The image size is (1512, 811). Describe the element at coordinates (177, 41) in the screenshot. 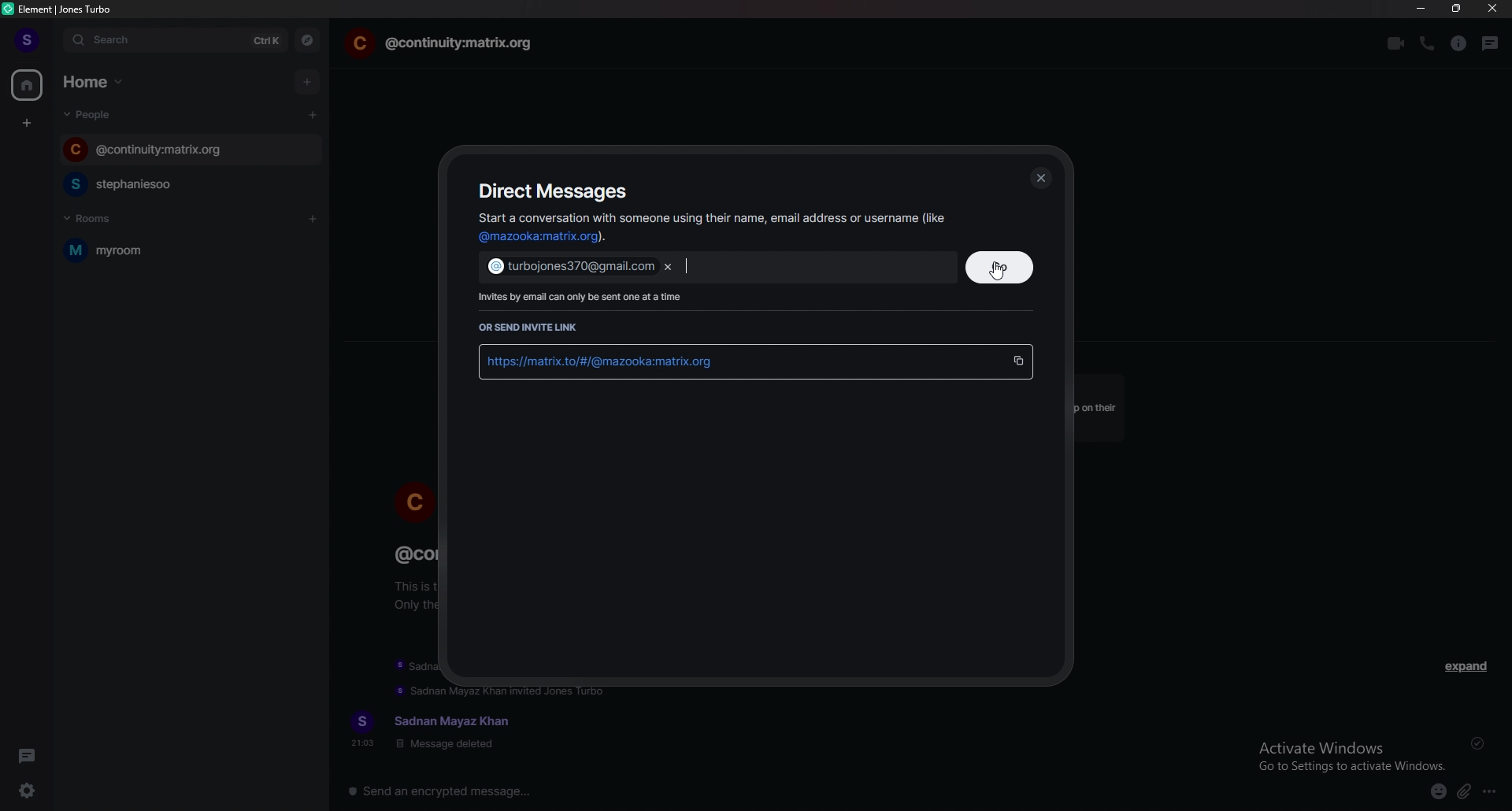

I see `search` at that location.